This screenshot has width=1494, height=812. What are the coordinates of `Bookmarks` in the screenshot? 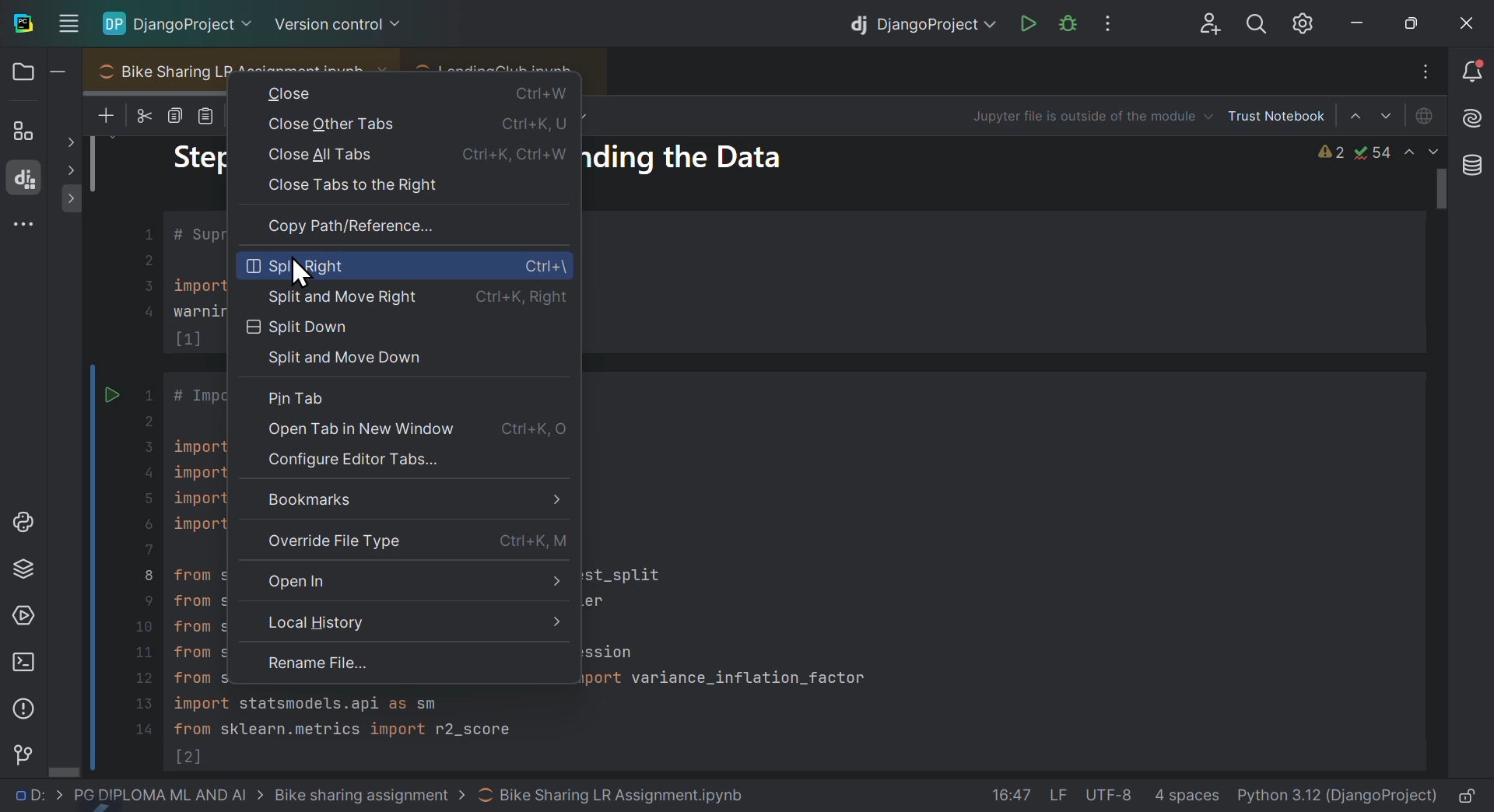 It's located at (412, 496).